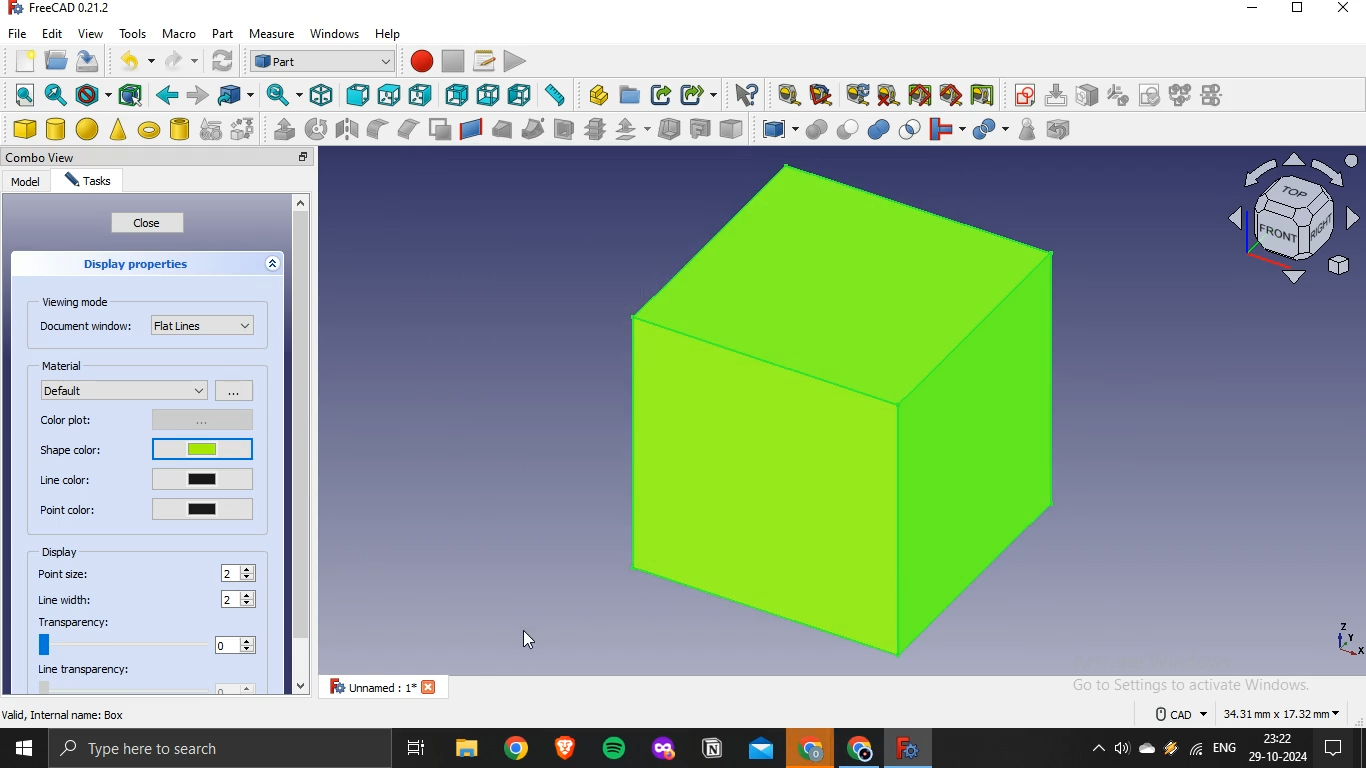 Image resolution: width=1366 pixels, height=768 pixels. What do you see at coordinates (527, 637) in the screenshot?
I see `cursor` at bounding box center [527, 637].